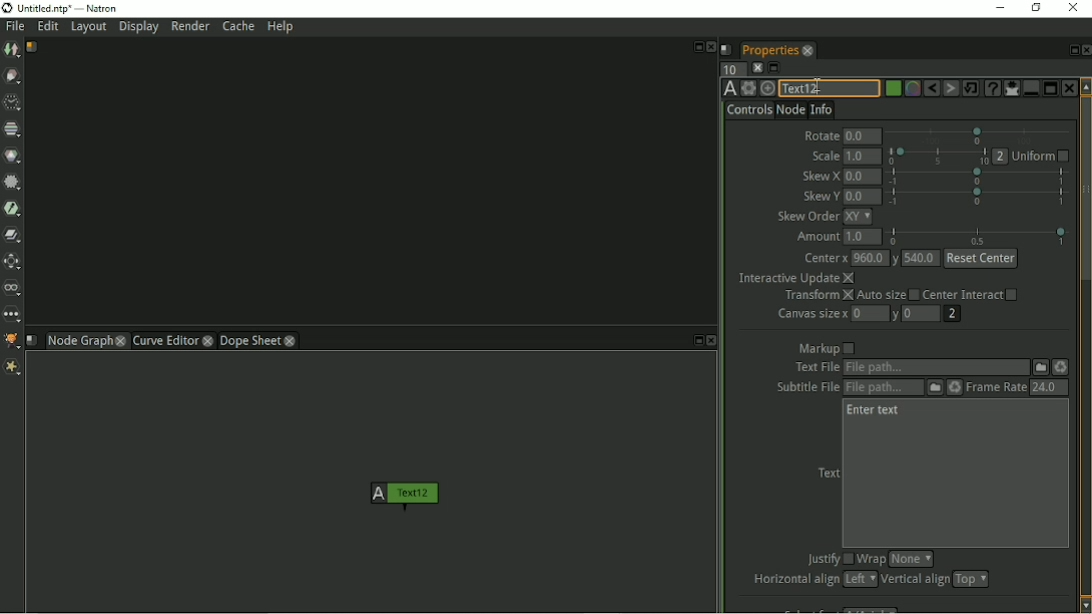  I want to click on title, so click(79, 8).